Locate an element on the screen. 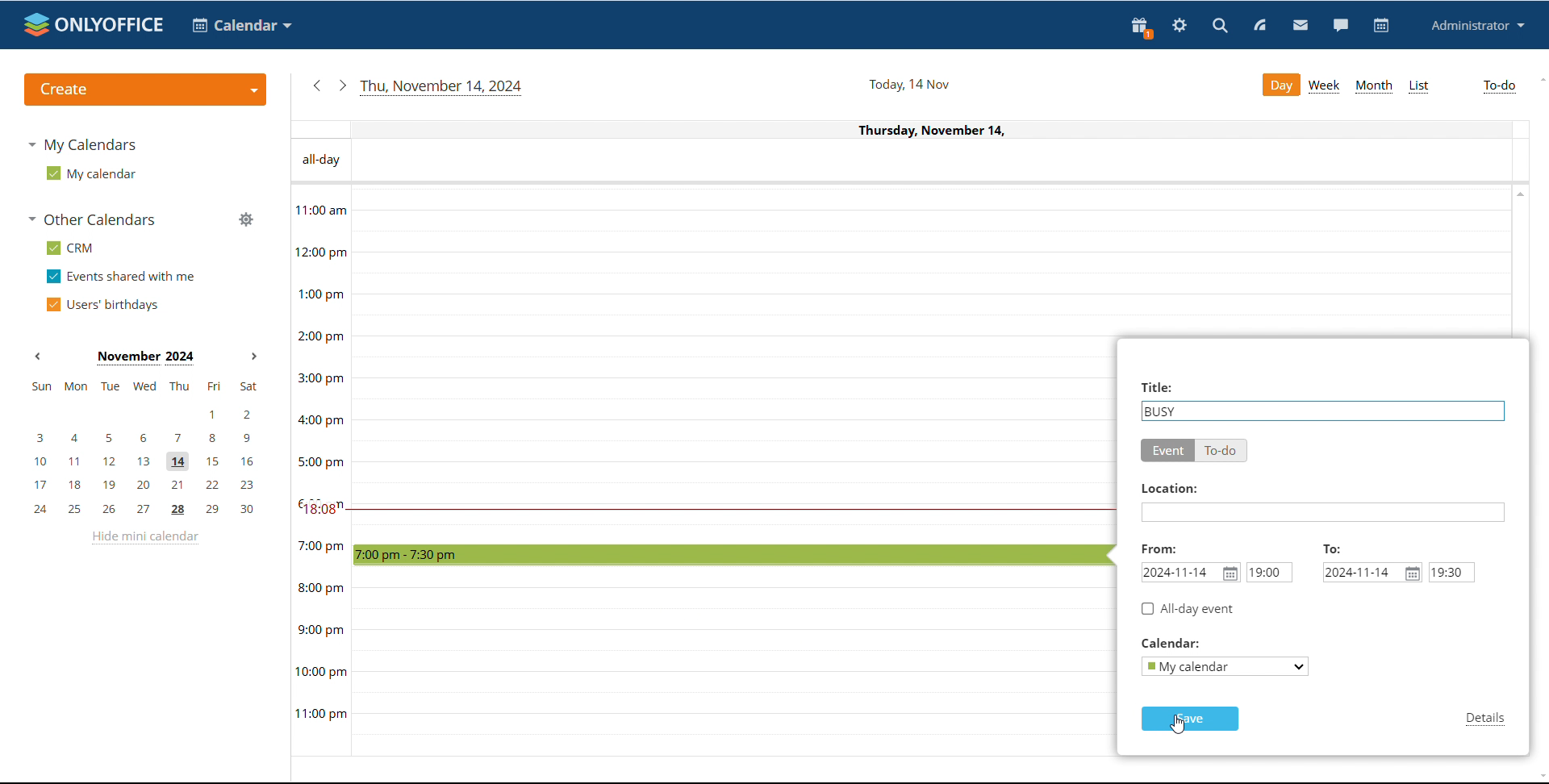 This screenshot has width=1549, height=784. crm is located at coordinates (69, 248).